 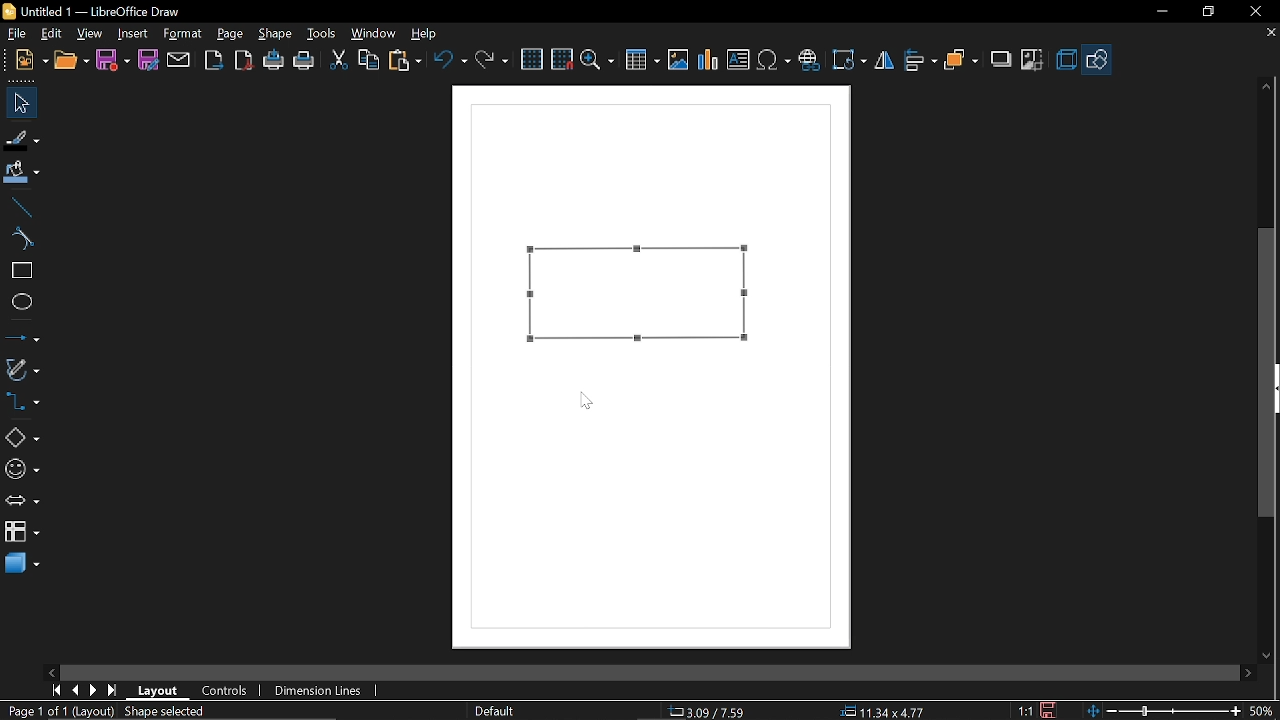 What do you see at coordinates (339, 62) in the screenshot?
I see `cut` at bounding box center [339, 62].